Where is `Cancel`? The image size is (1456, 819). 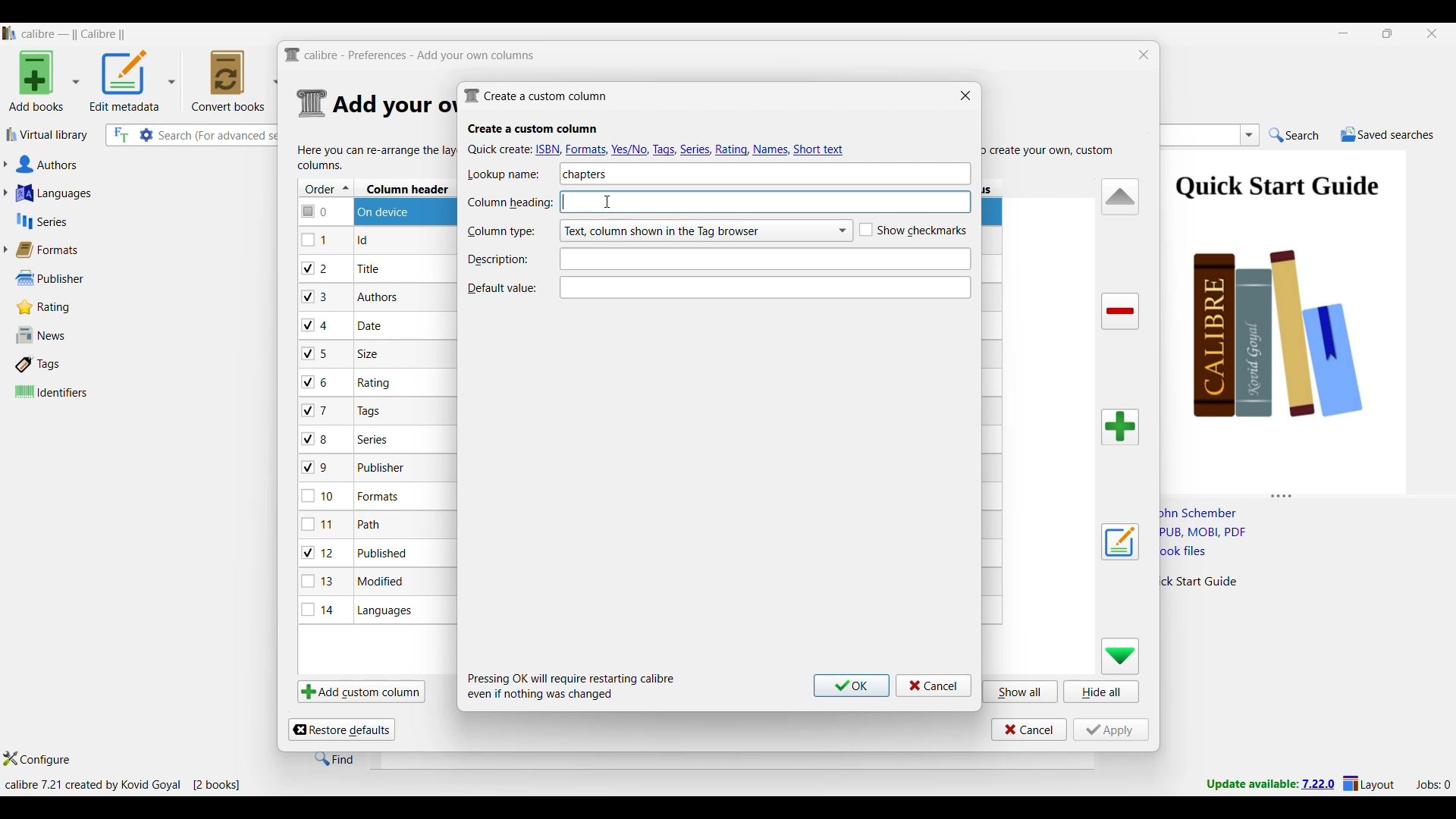 Cancel is located at coordinates (1029, 730).